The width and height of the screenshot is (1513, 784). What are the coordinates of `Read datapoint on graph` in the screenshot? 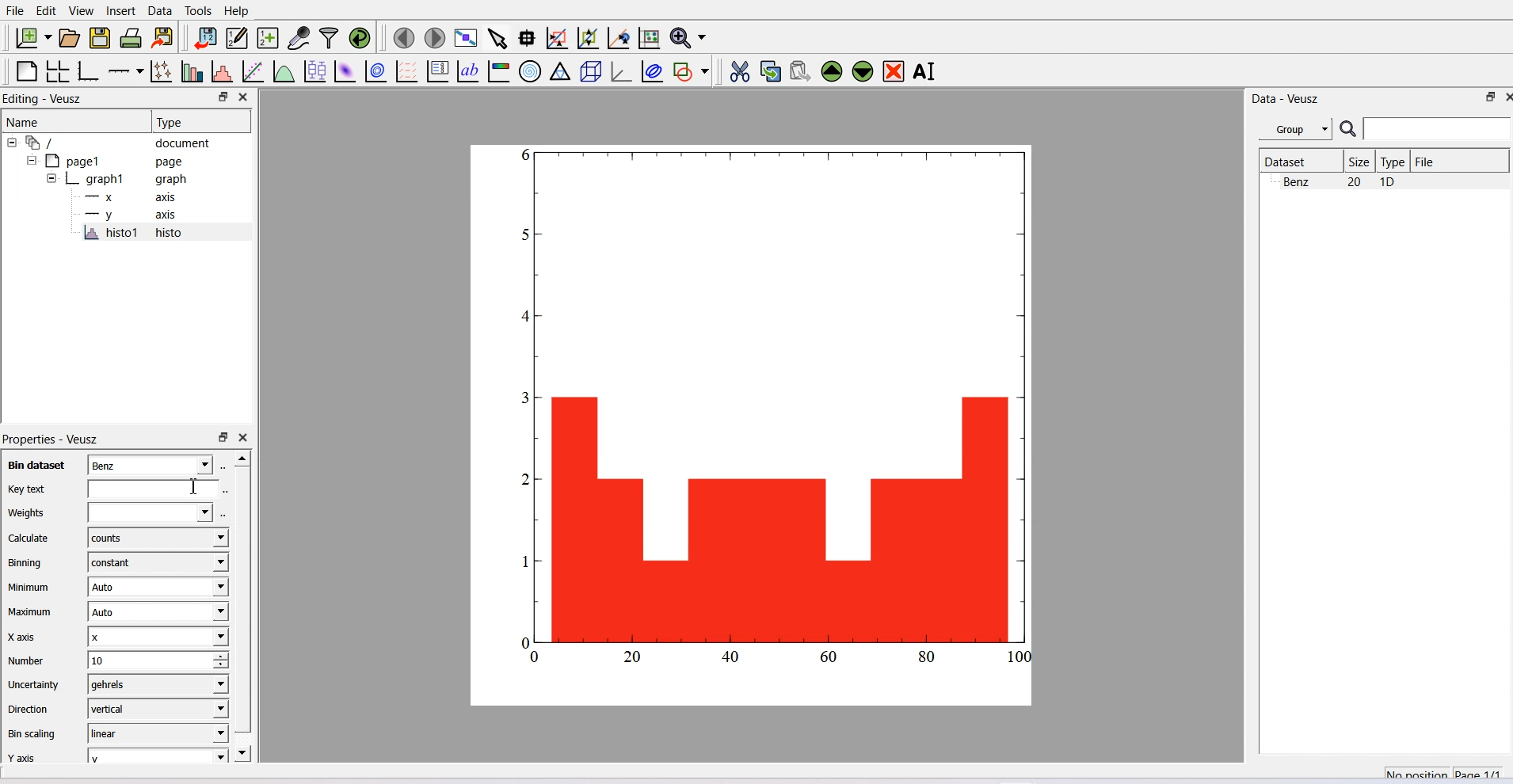 It's located at (528, 38).